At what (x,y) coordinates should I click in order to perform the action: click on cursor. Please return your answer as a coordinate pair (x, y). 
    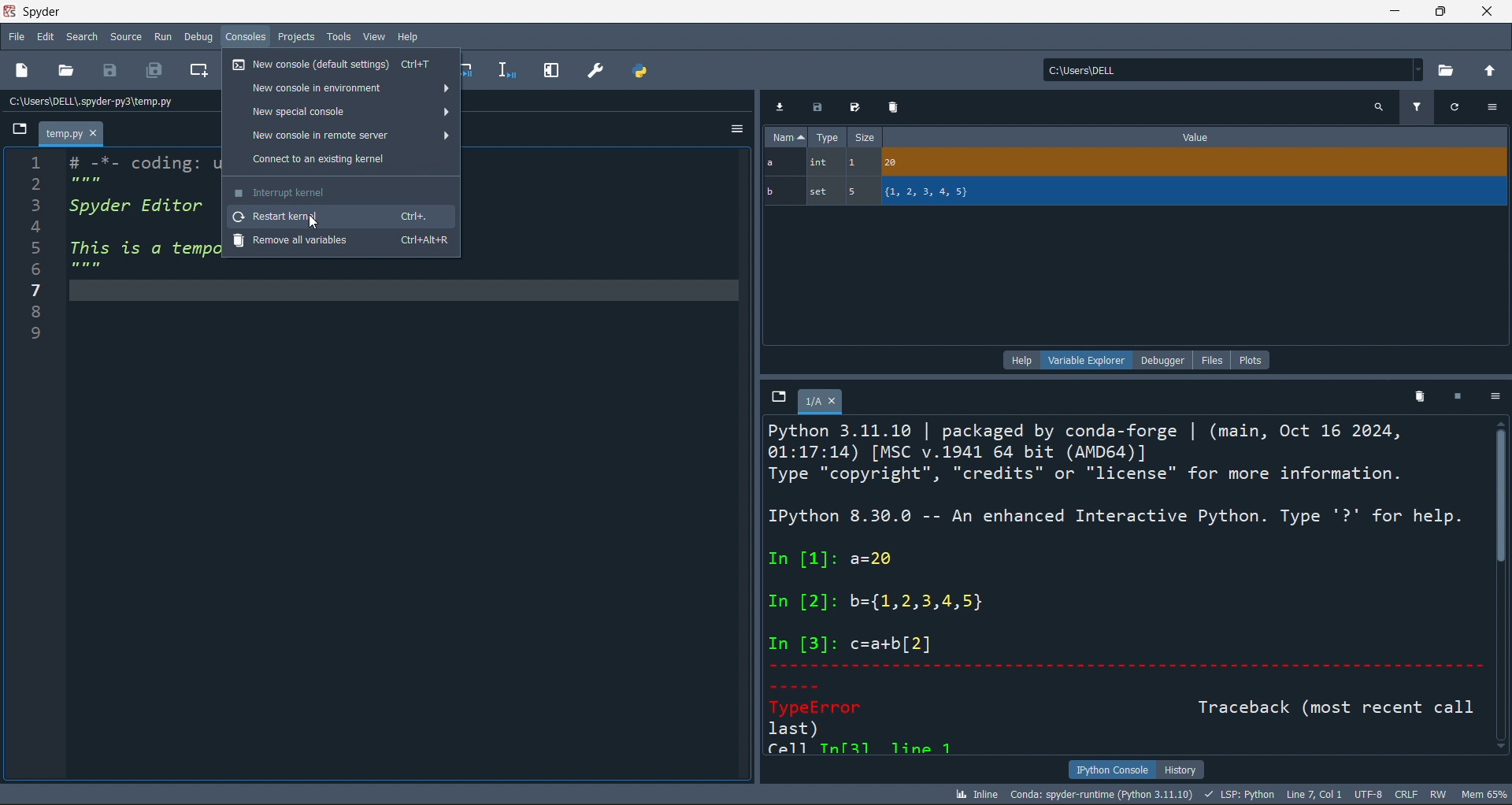
    Looking at the image, I should click on (313, 223).